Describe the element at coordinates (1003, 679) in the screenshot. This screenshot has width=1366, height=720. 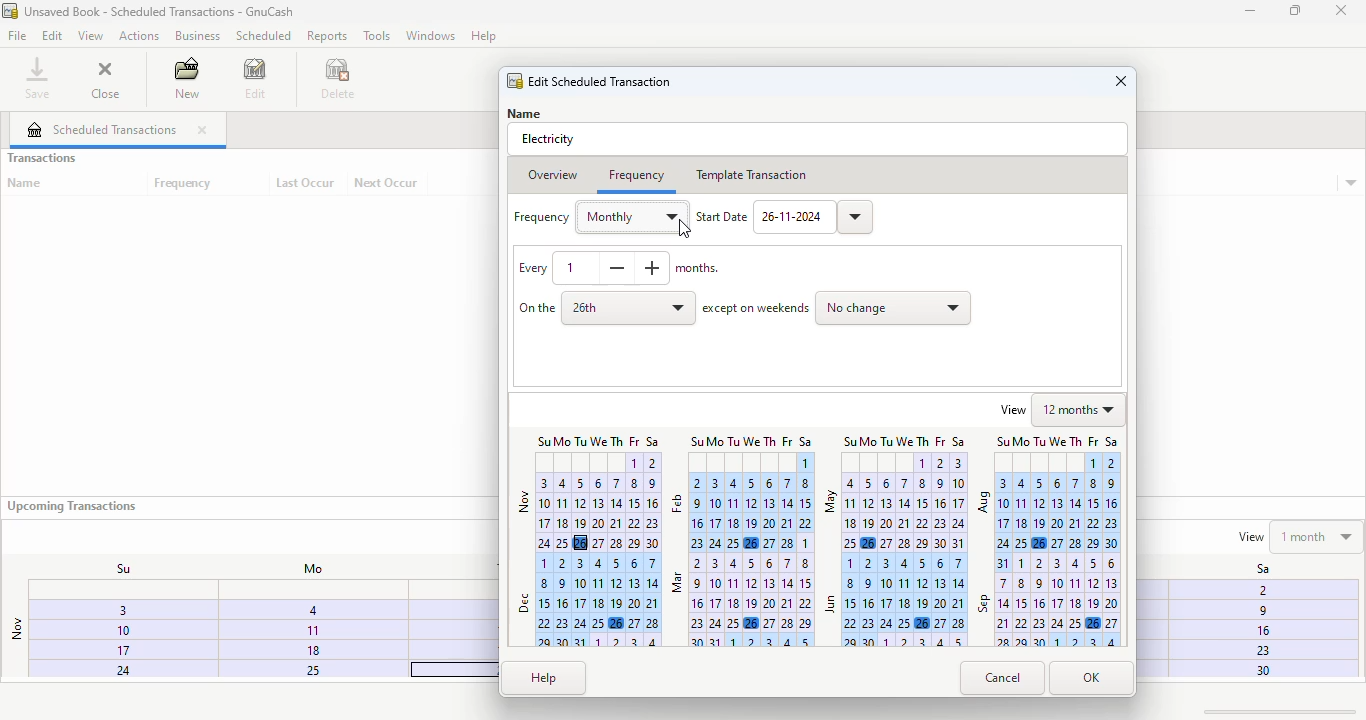
I see `cancel` at that location.